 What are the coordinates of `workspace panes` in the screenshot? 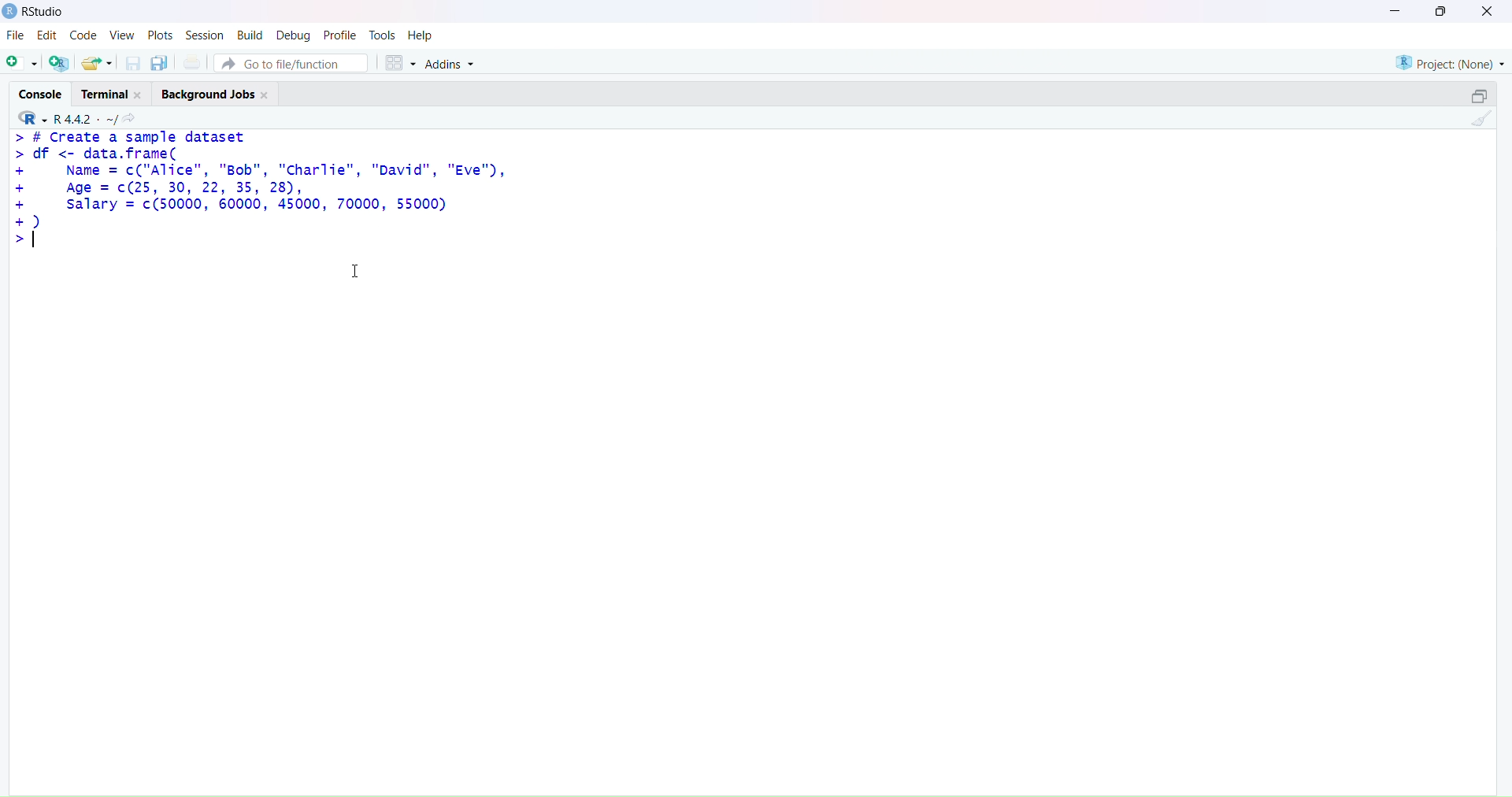 It's located at (399, 64).